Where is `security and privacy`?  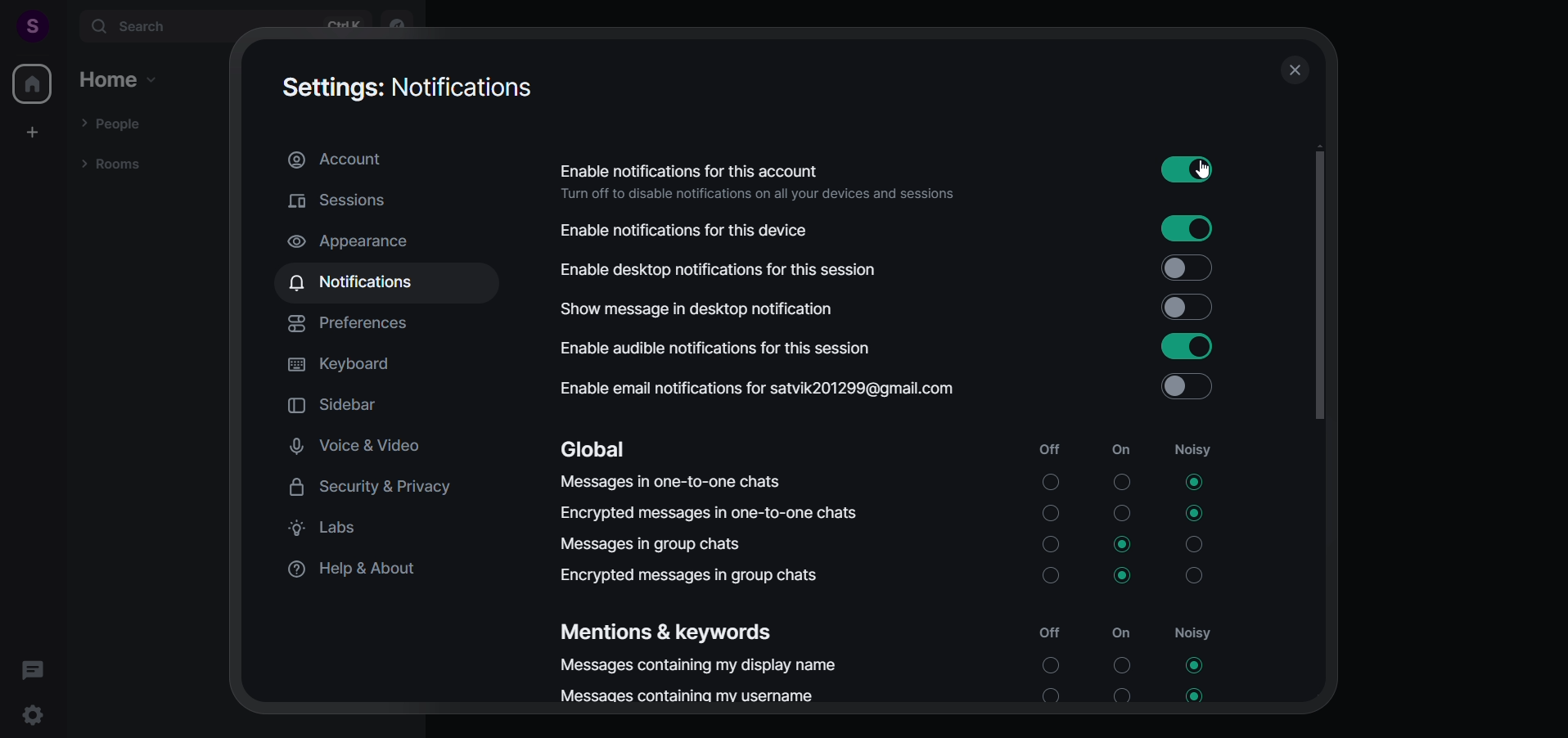 security and privacy is located at coordinates (377, 488).